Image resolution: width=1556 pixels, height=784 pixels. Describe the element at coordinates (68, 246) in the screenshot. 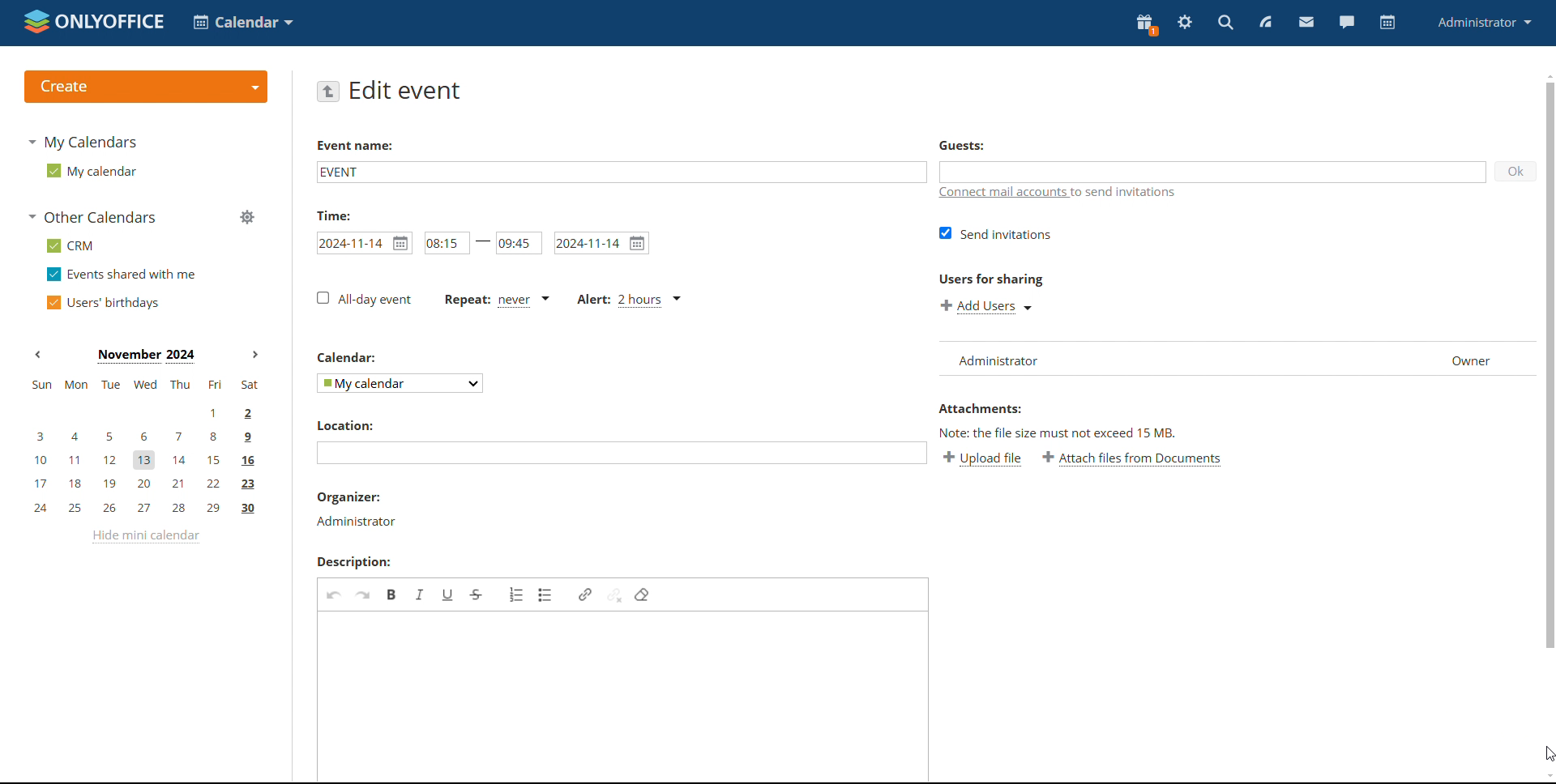

I see `crm` at that location.